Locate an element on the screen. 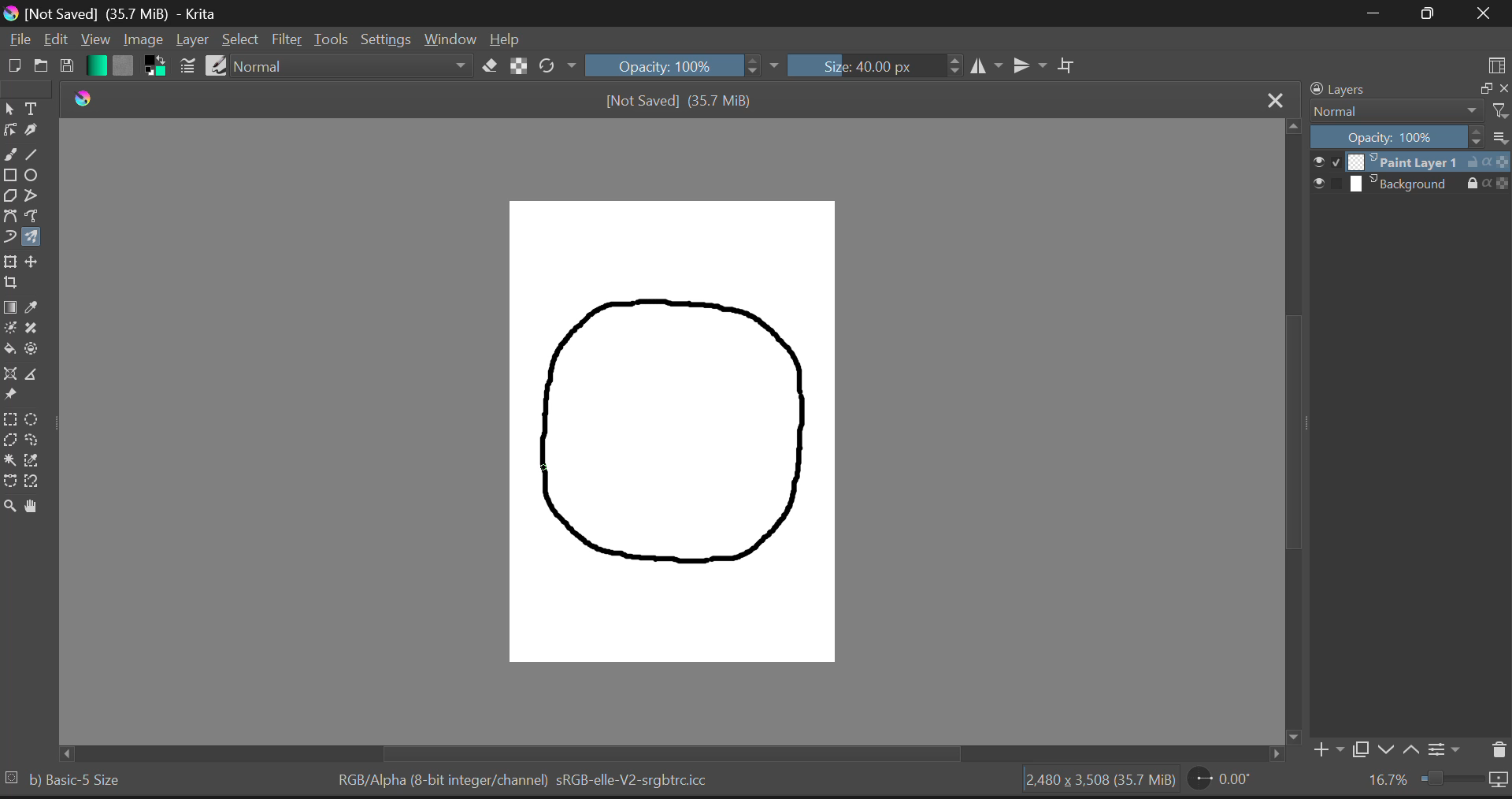 The image size is (1512, 799). filter is located at coordinates (1499, 109).